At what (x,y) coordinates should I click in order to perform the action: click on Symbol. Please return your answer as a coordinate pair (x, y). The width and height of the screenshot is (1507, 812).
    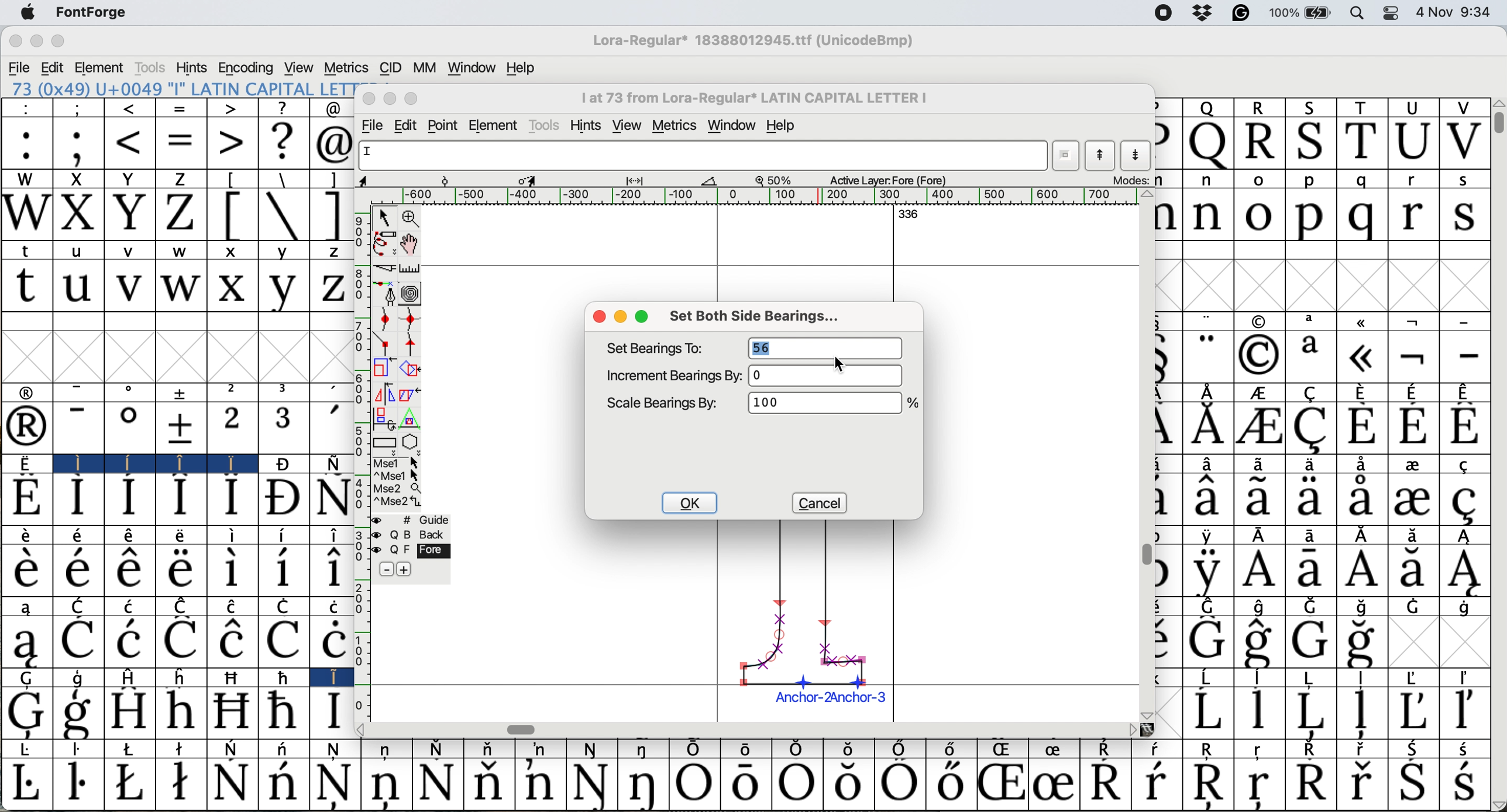
    Looking at the image, I should click on (1415, 535).